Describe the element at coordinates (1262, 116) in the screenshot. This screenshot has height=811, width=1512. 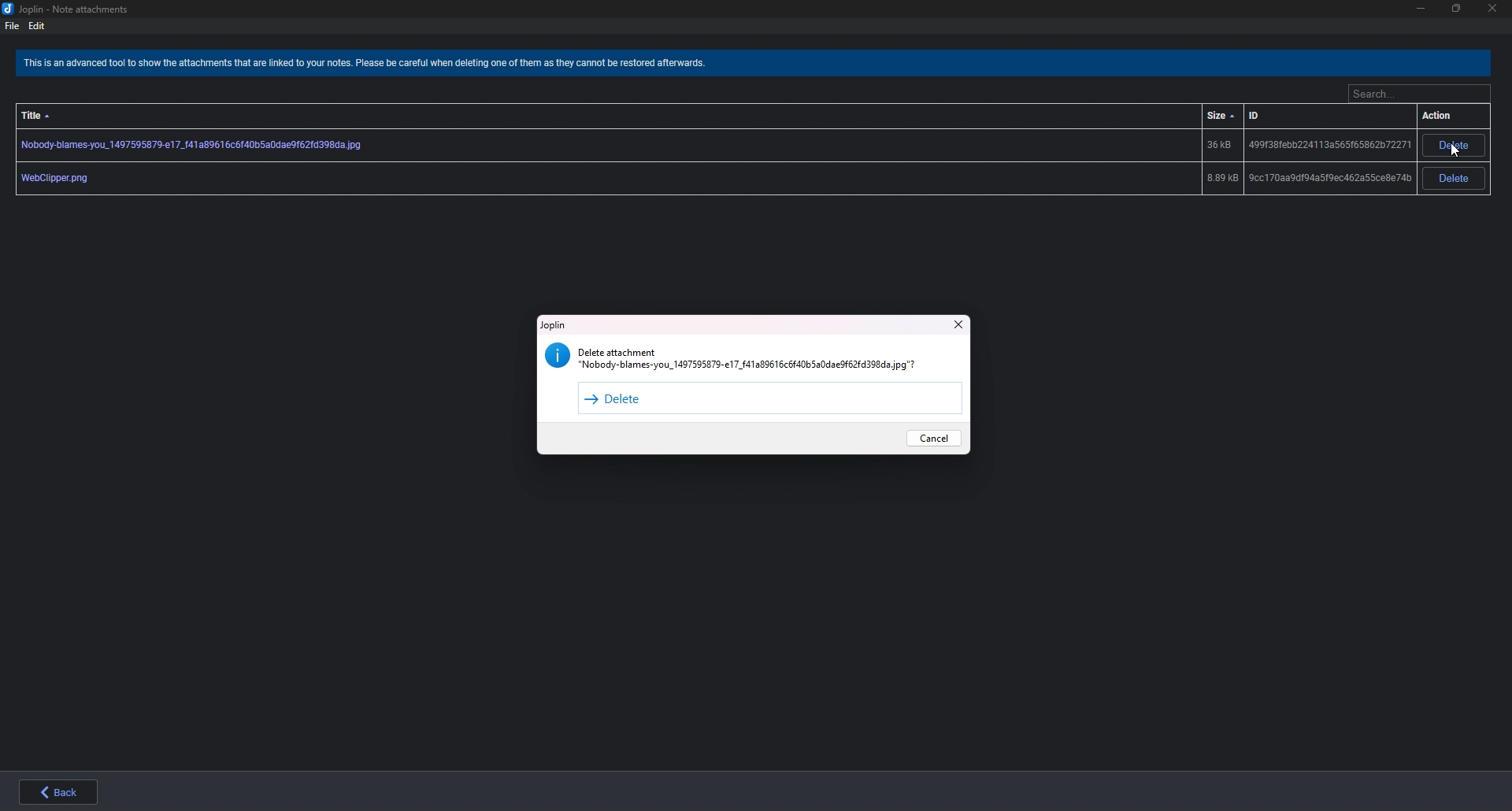
I see `id` at that location.